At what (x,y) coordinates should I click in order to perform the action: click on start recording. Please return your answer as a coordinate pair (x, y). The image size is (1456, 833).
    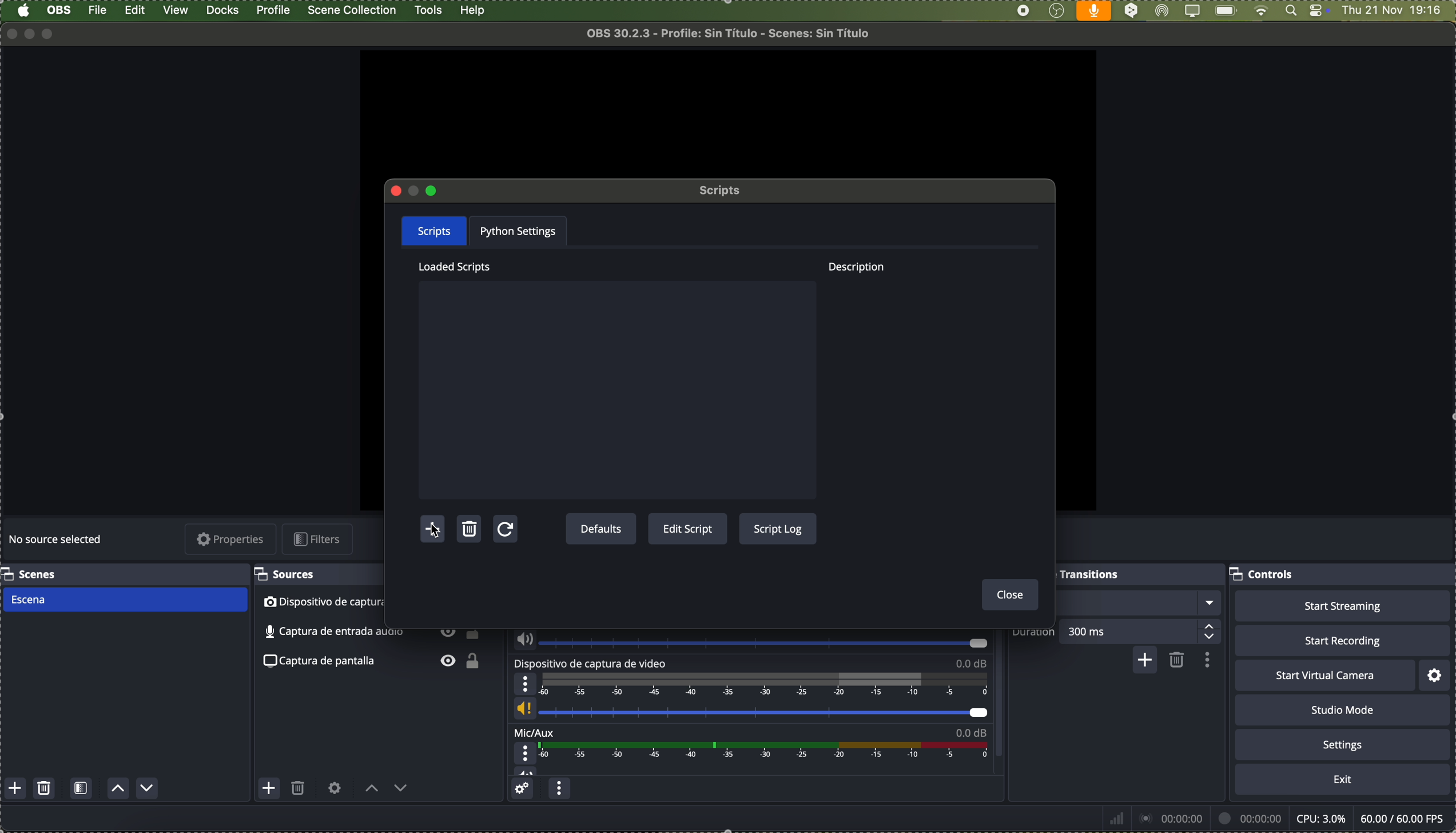
    Looking at the image, I should click on (1342, 640).